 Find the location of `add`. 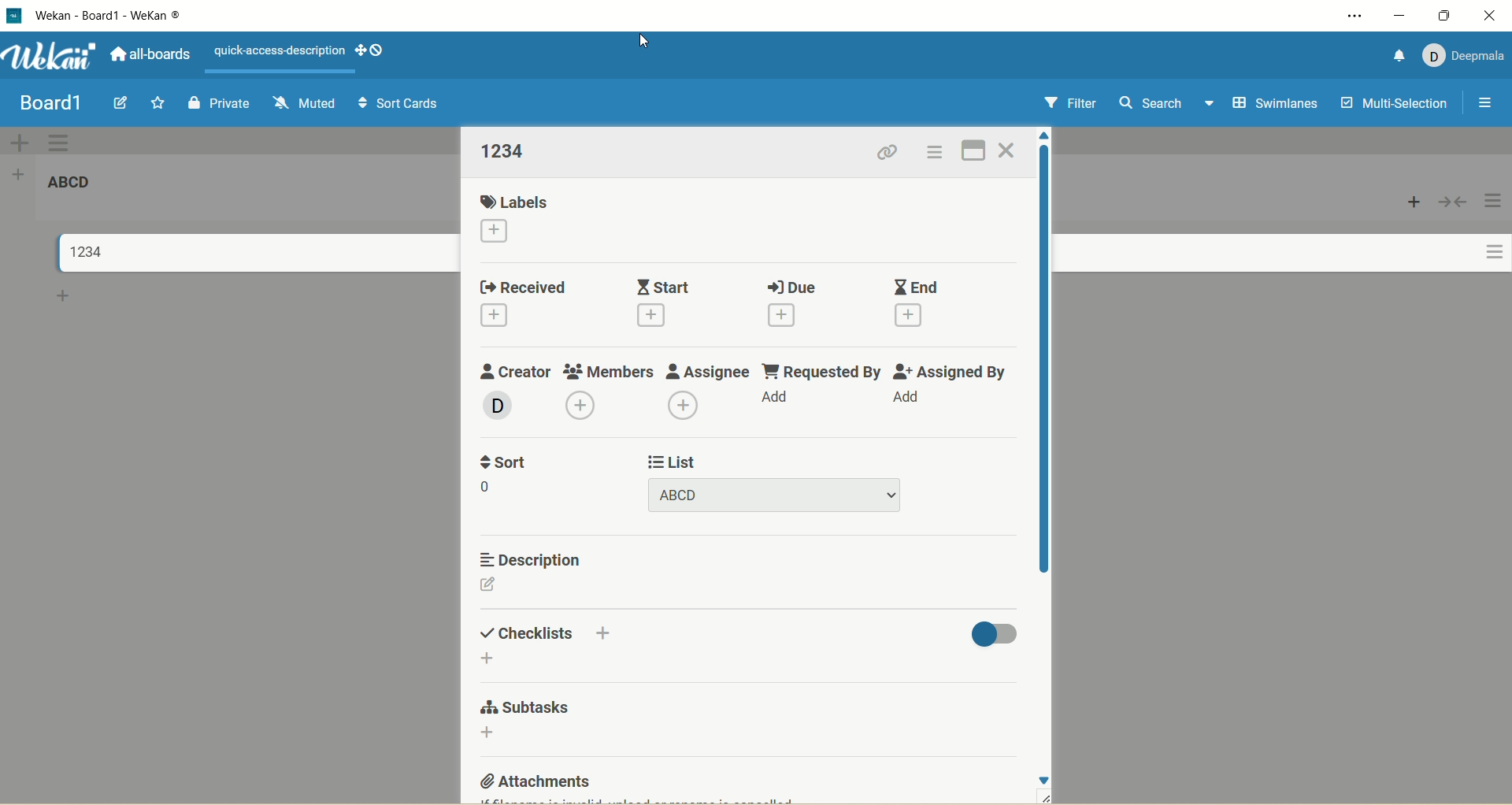

add is located at coordinates (908, 399).